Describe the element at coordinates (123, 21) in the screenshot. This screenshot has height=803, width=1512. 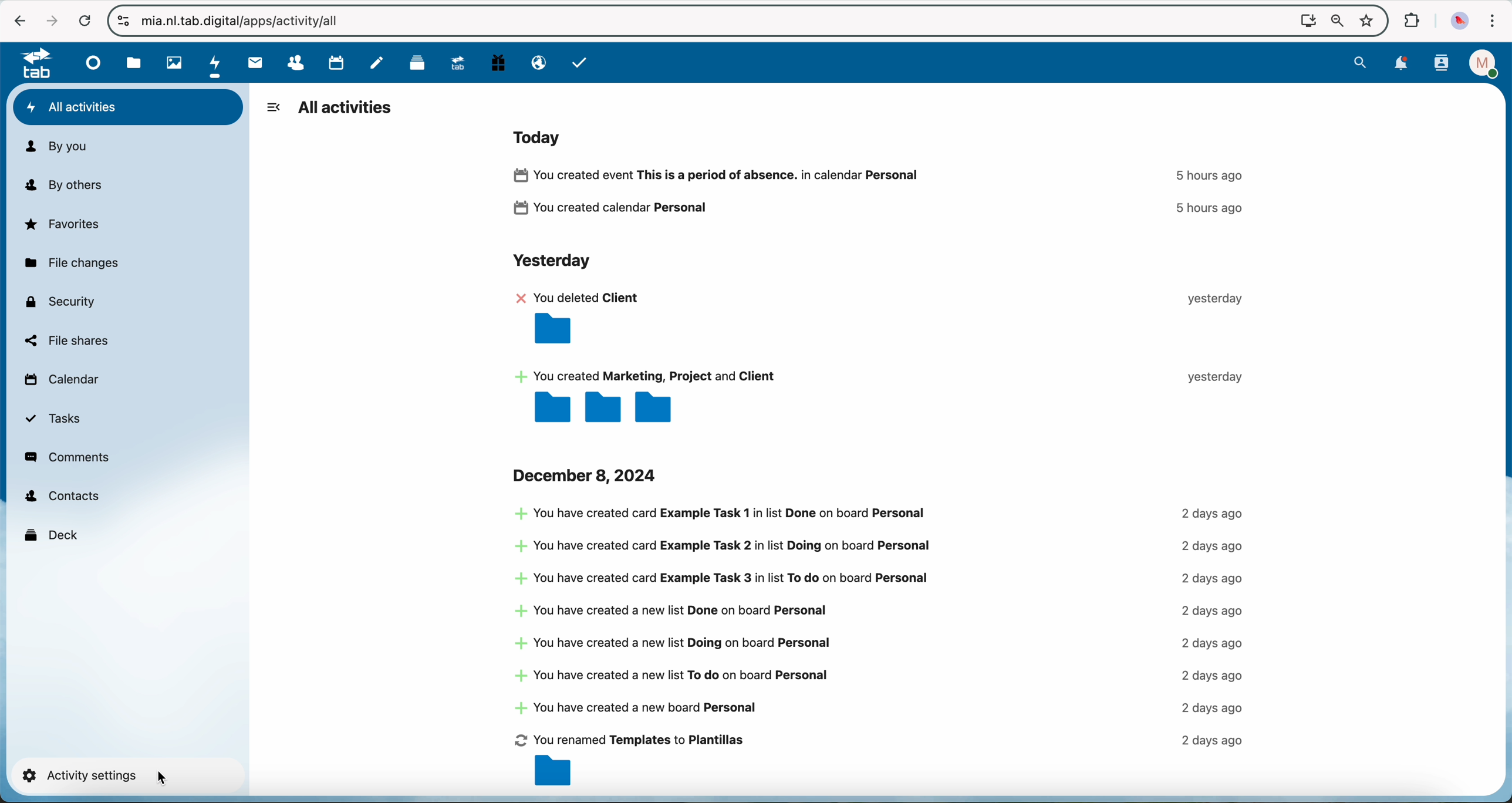
I see `controls` at that location.